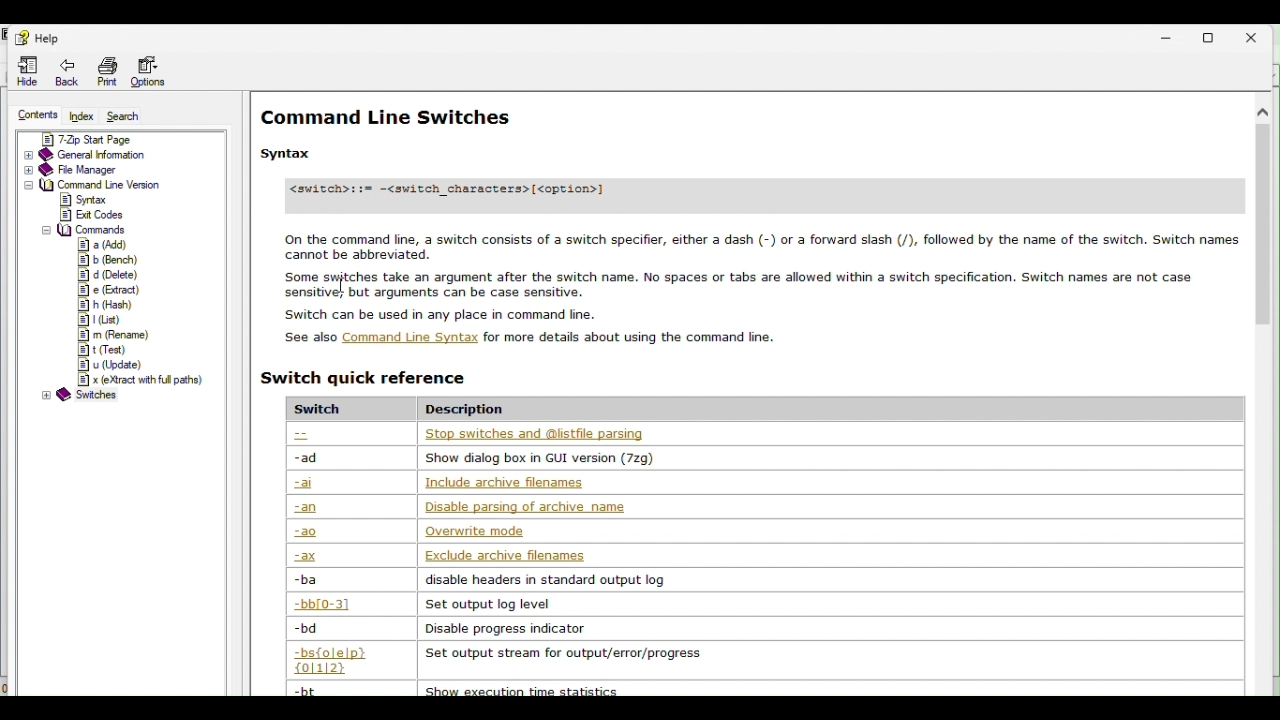  What do you see at coordinates (304, 483) in the screenshot?
I see `-ai` at bounding box center [304, 483].